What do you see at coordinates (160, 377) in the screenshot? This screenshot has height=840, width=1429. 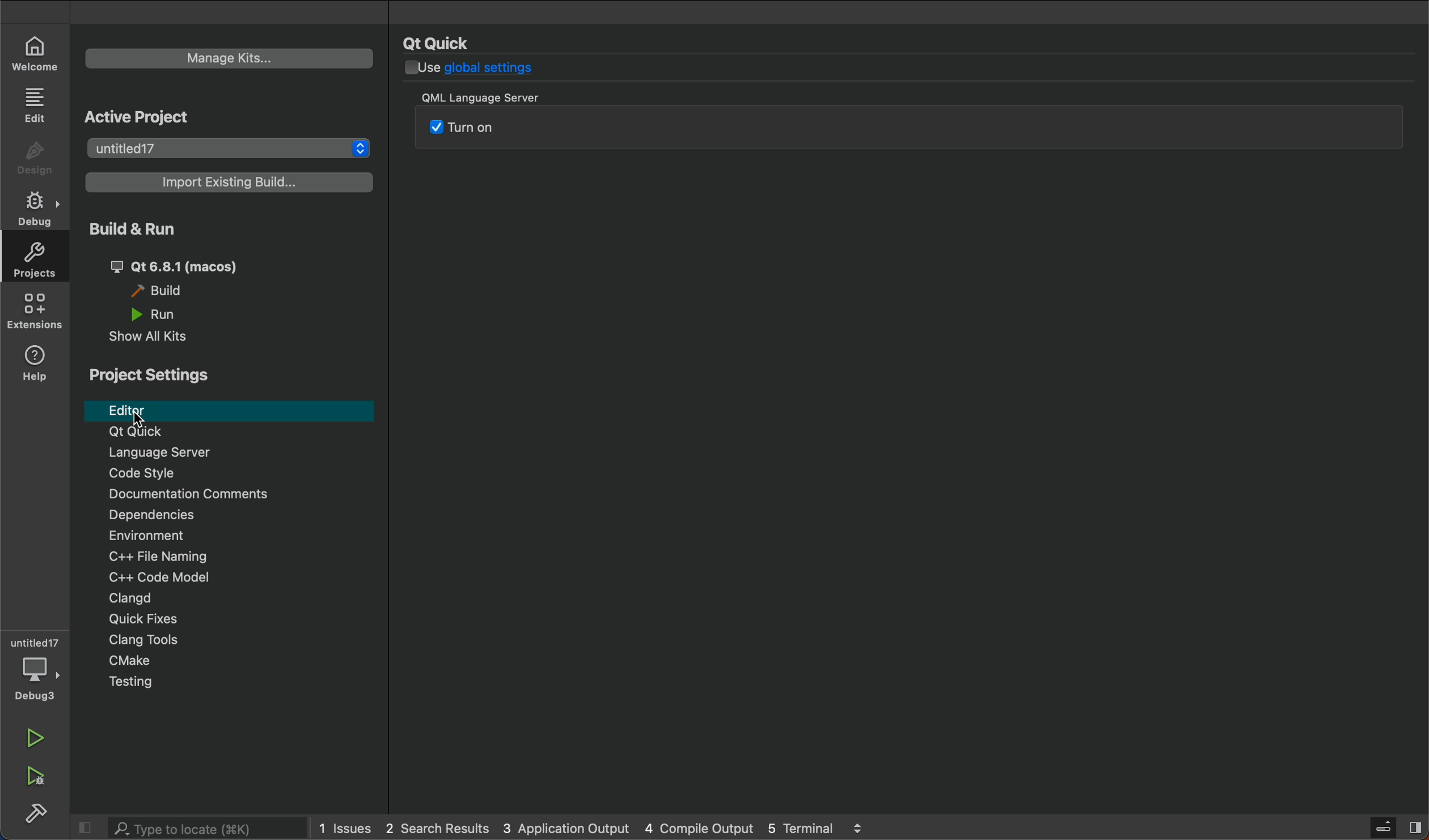 I see `Project Settings` at bounding box center [160, 377].